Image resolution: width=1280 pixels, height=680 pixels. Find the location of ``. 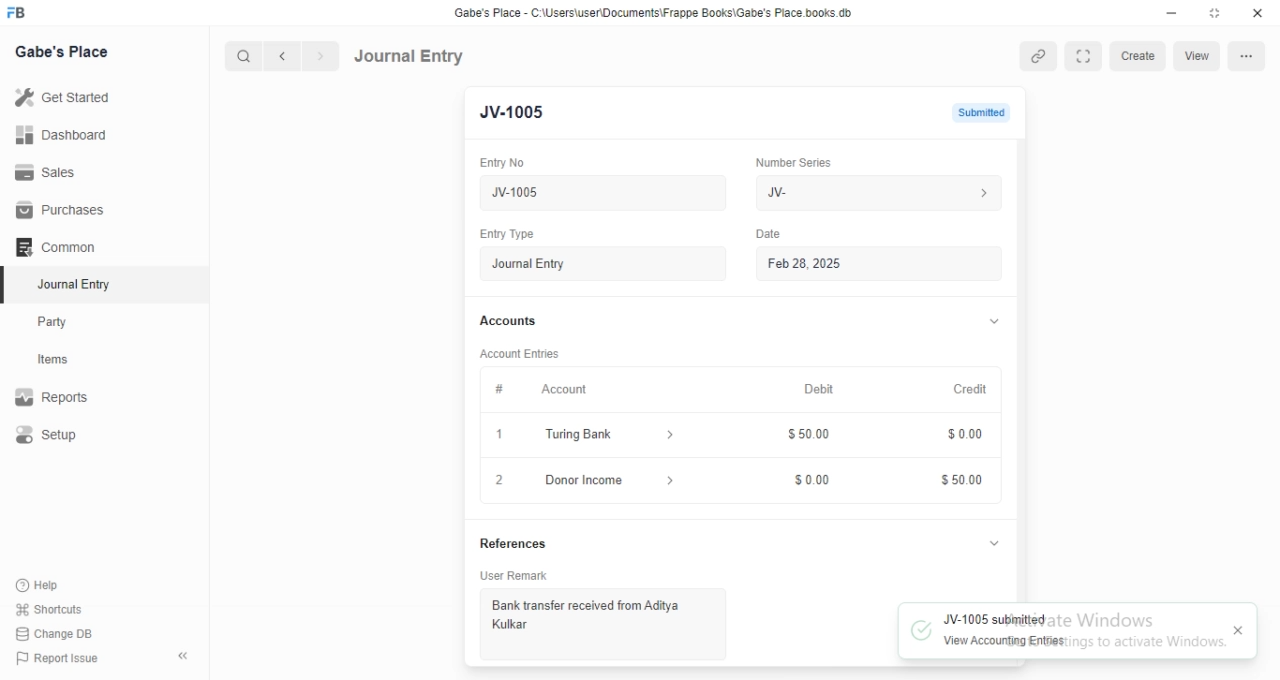

 is located at coordinates (771, 236).